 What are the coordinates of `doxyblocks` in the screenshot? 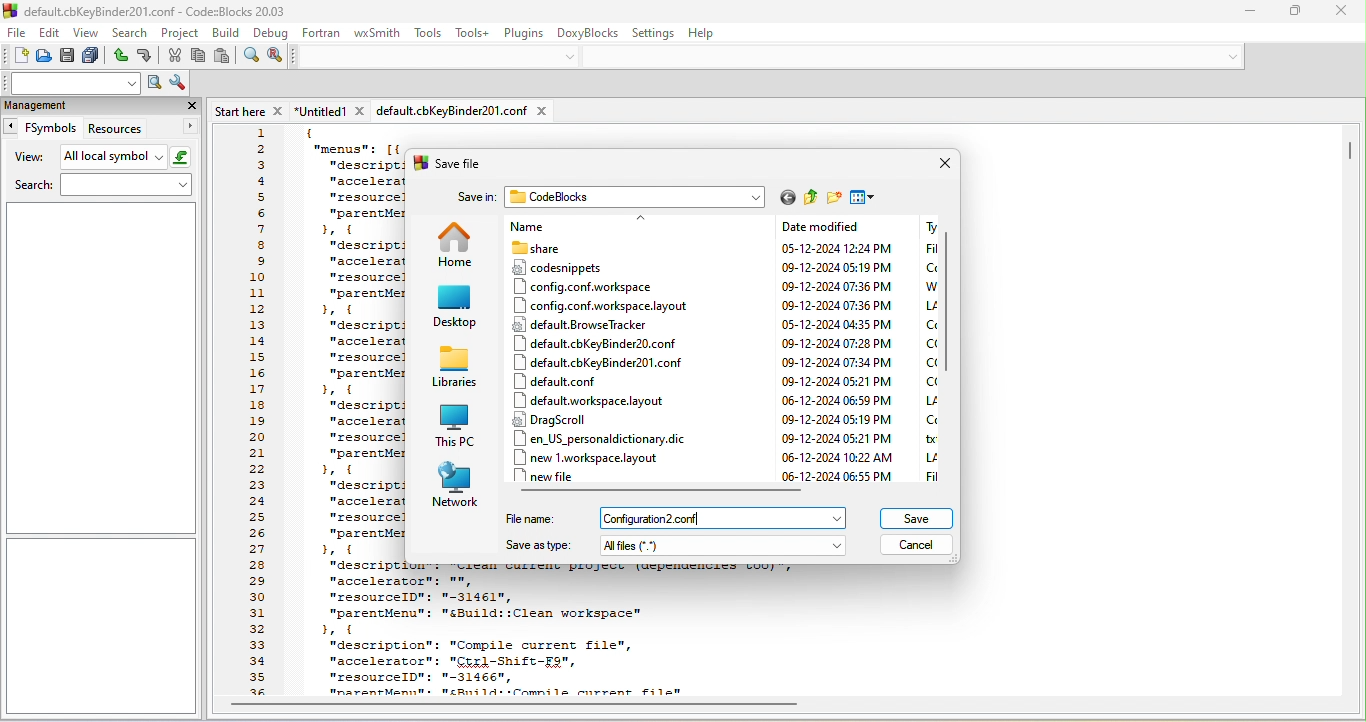 It's located at (588, 34).